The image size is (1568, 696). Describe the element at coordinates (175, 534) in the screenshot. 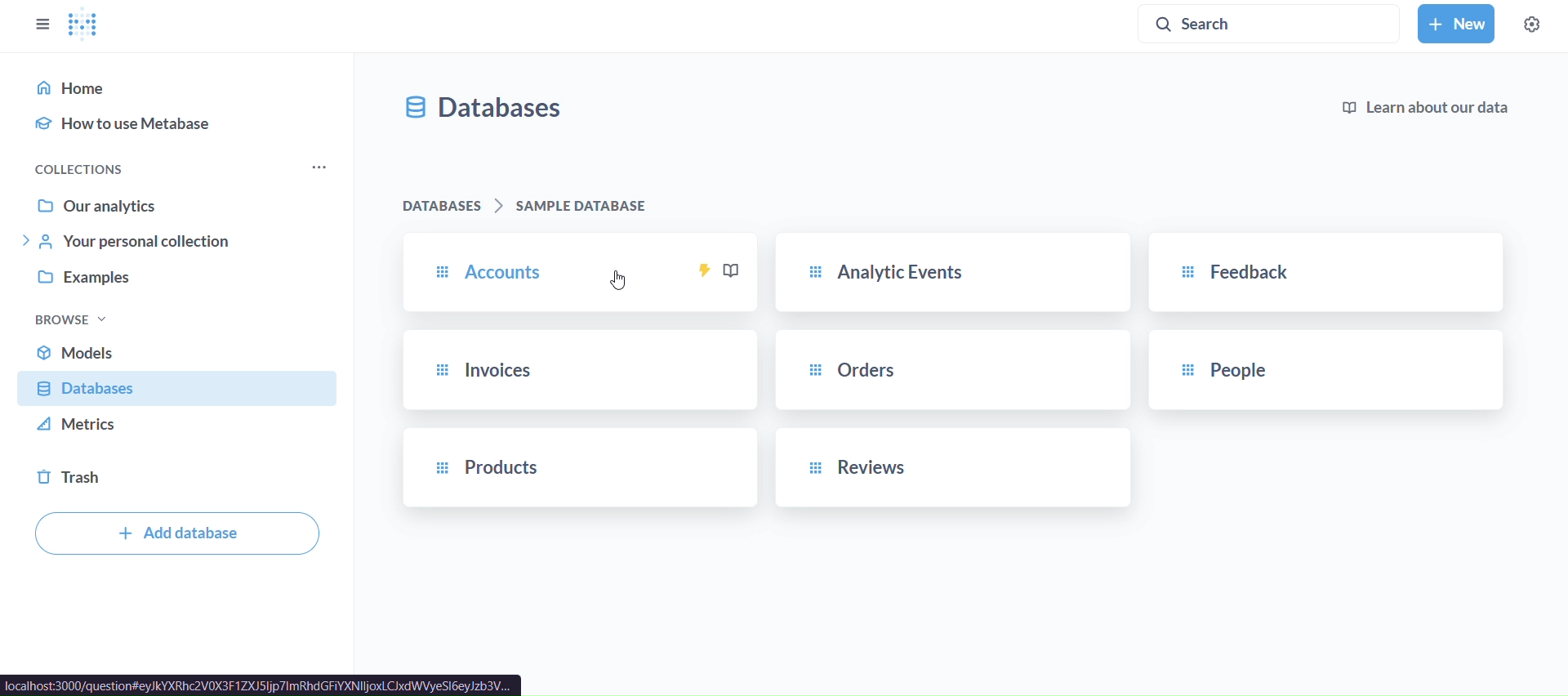

I see `add database` at that location.